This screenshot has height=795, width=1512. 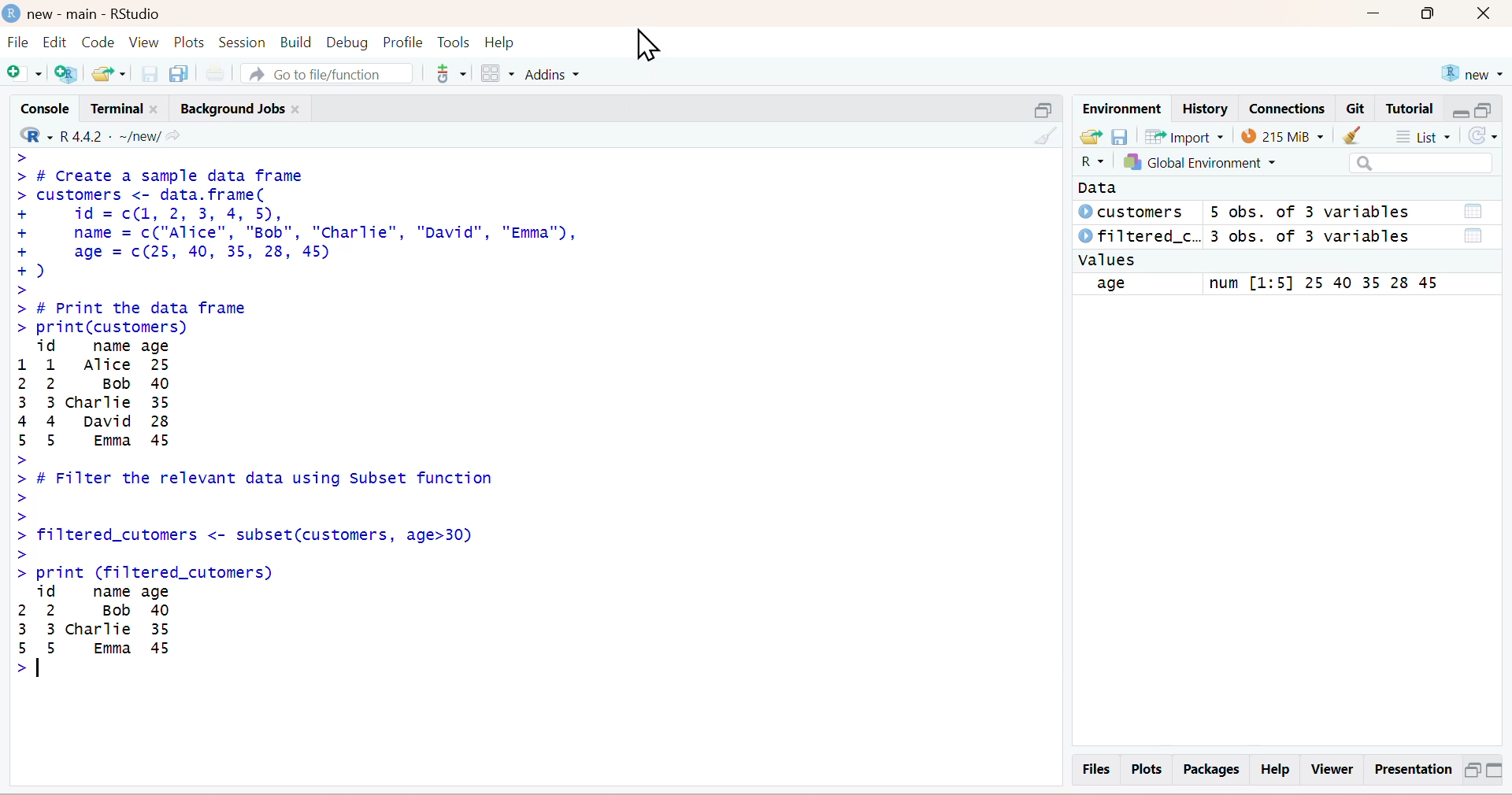 I want to click on save workspace as, so click(x=1121, y=135).